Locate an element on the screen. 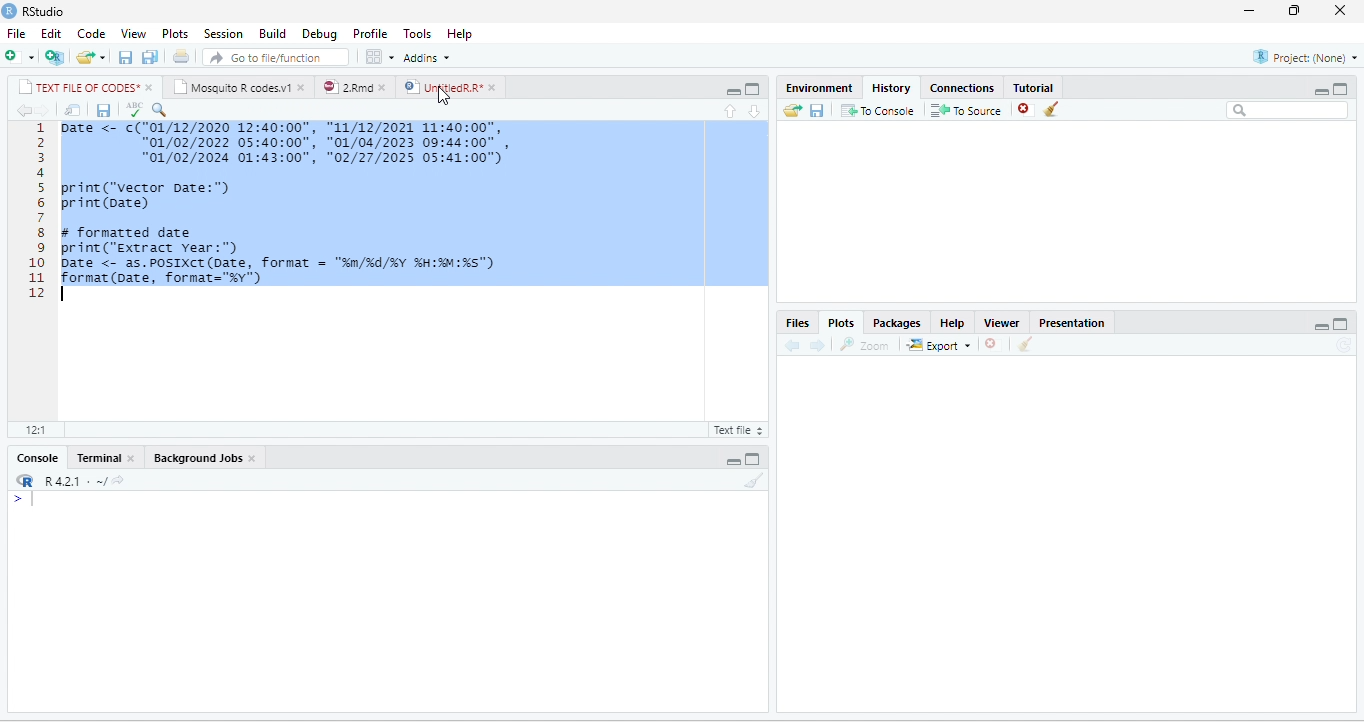 This screenshot has height=722, width=1364. resize is located at coordinates (1294, 11).